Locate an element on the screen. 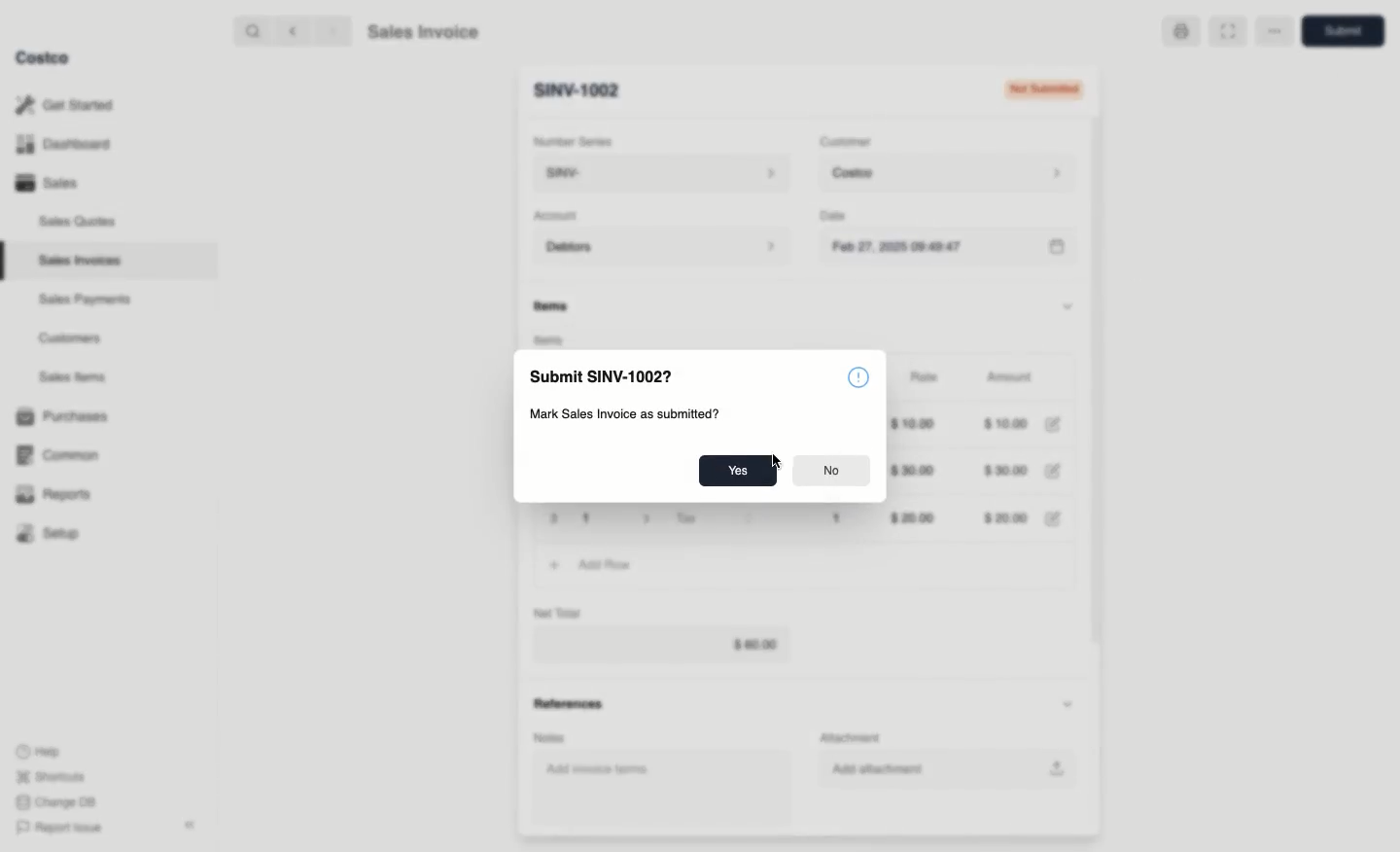  Help is located at coordinates (40, 750).